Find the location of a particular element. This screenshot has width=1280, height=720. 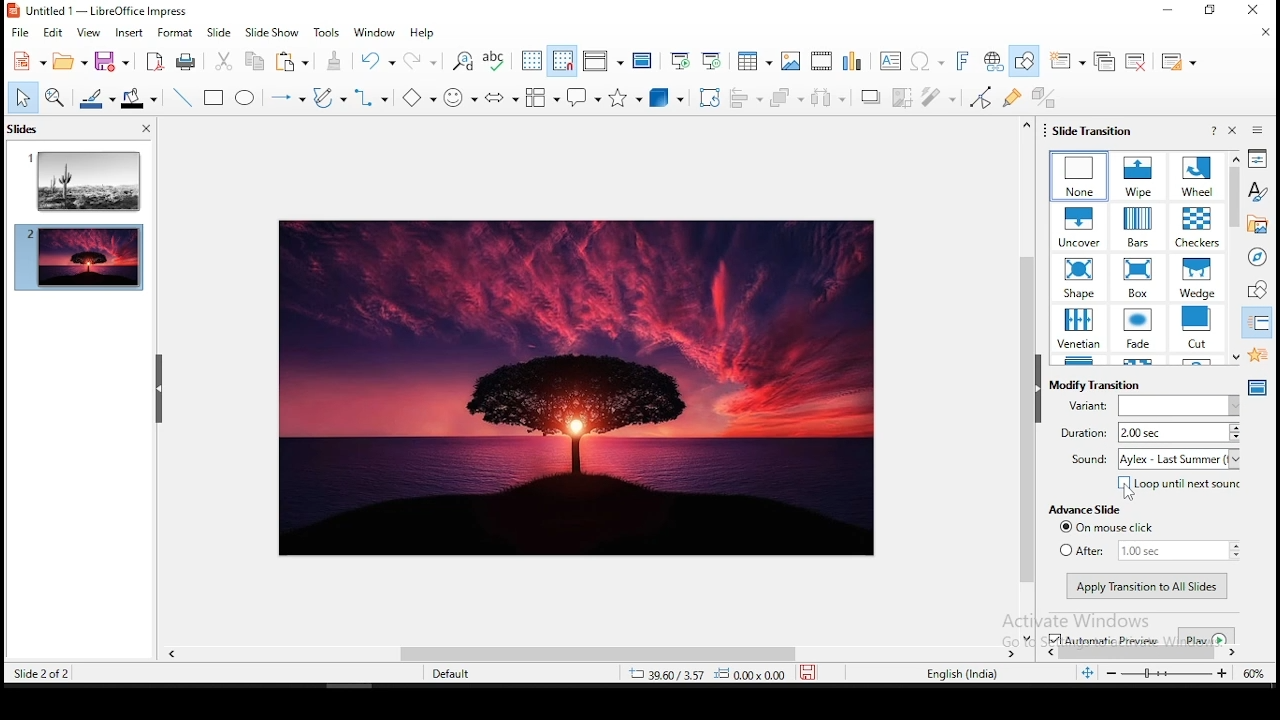

save is located at coordinates (811, 673).